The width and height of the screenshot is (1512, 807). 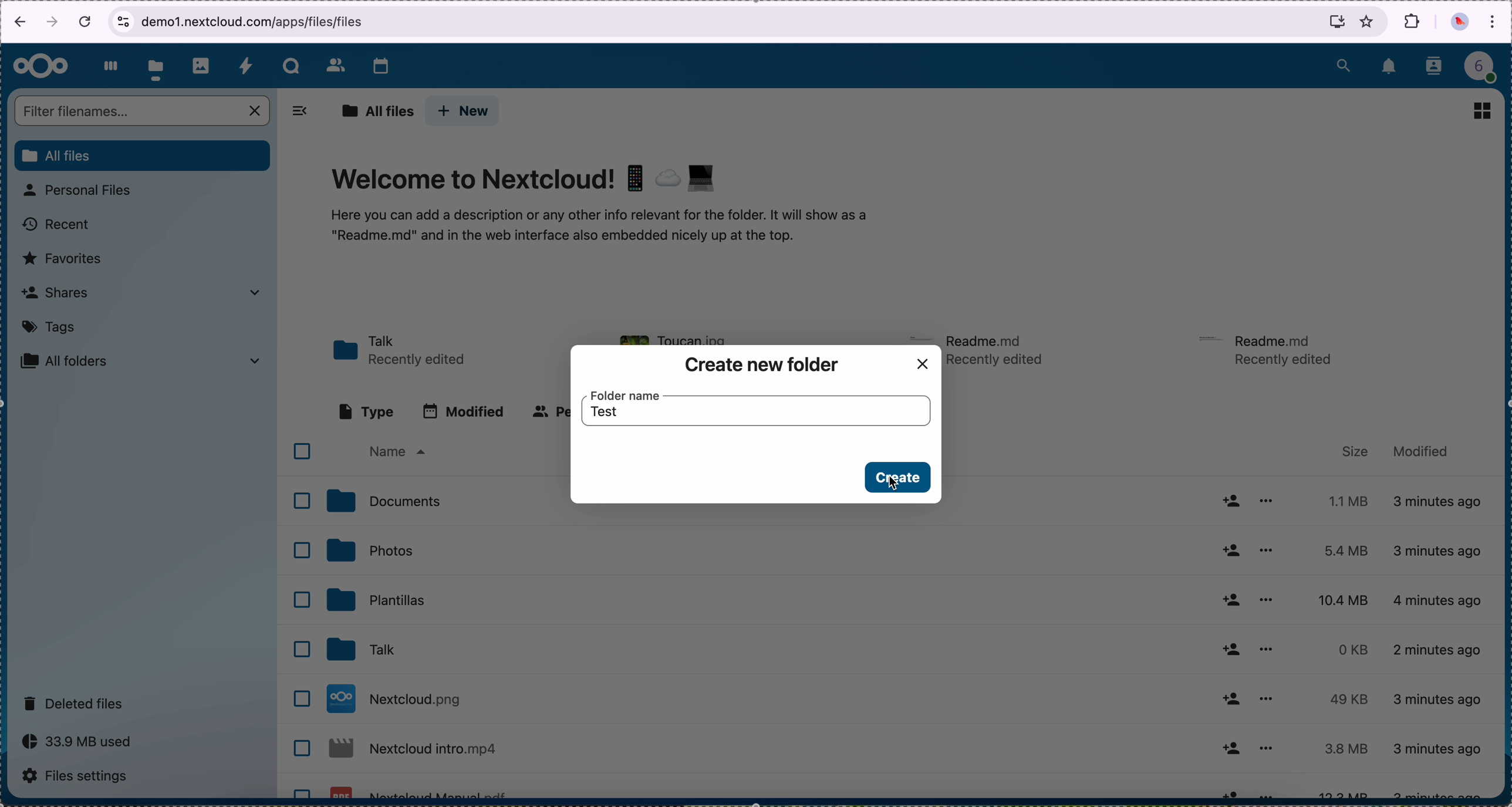 I want to click on all folders, so click(x=141, y=361).